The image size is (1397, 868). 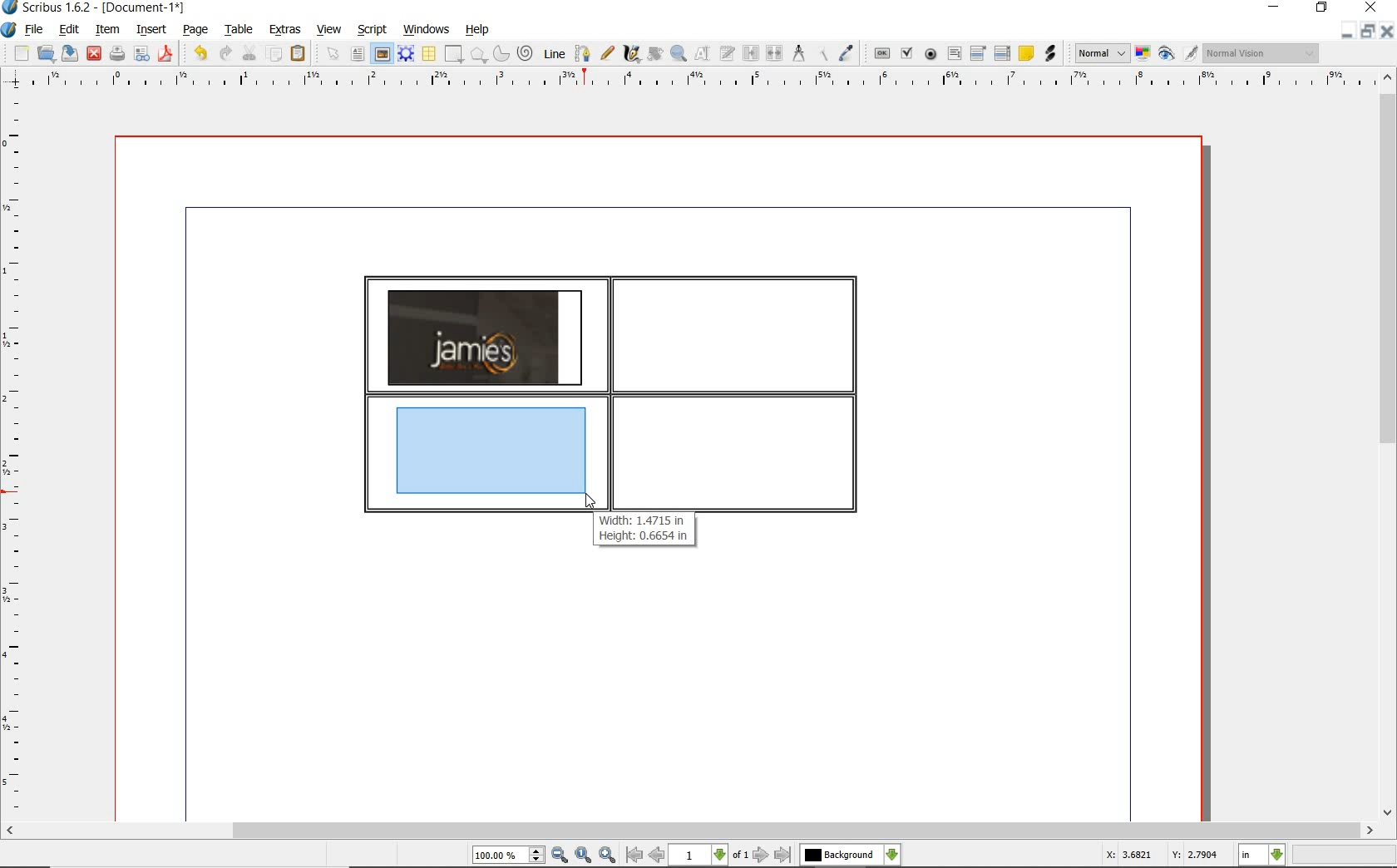 What do you see at coordinates (560, 856) in the screenshot?
I see `zoom out` at bounding box center [560, 856].